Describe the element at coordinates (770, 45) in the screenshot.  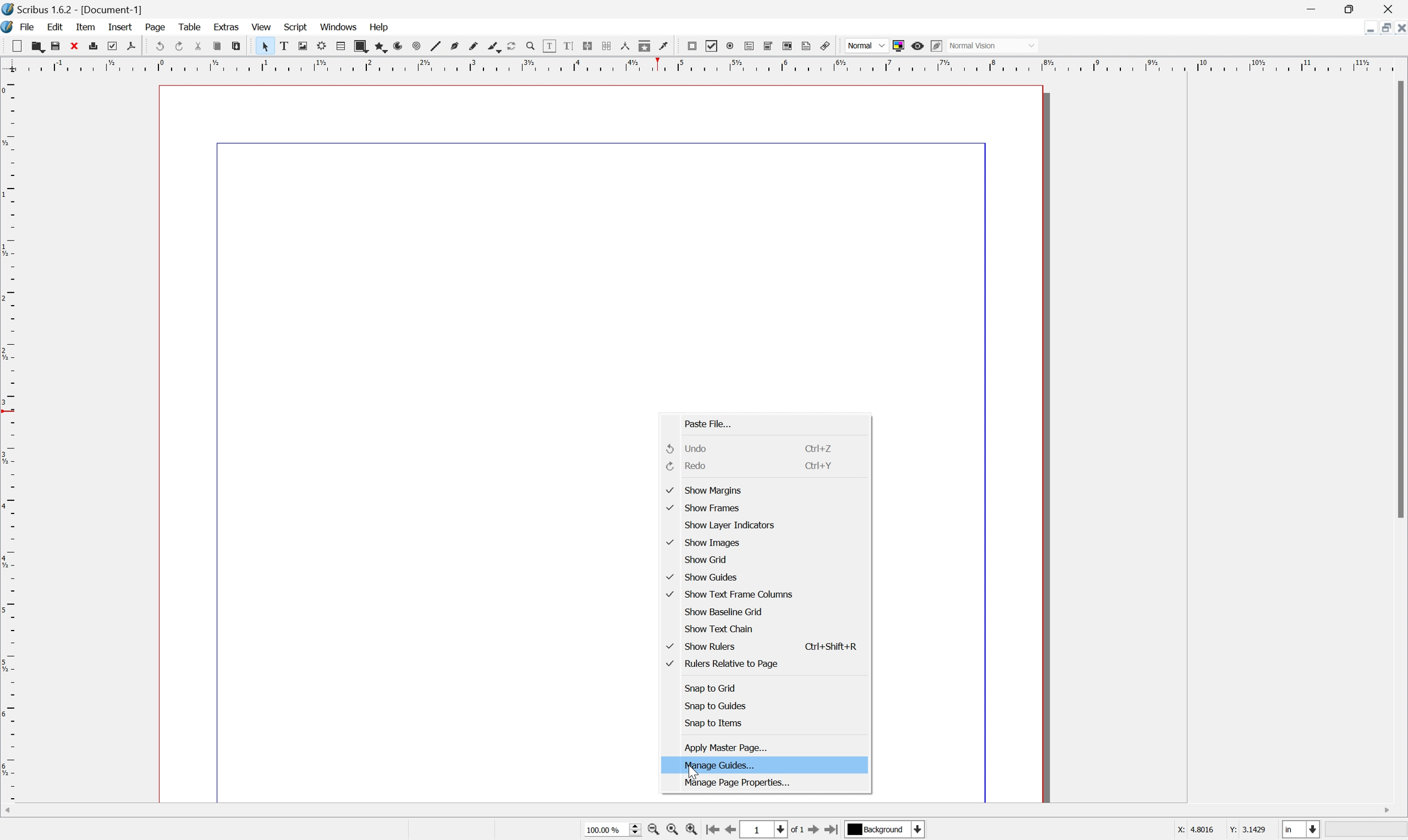
I see `pdf combo box` at that location.